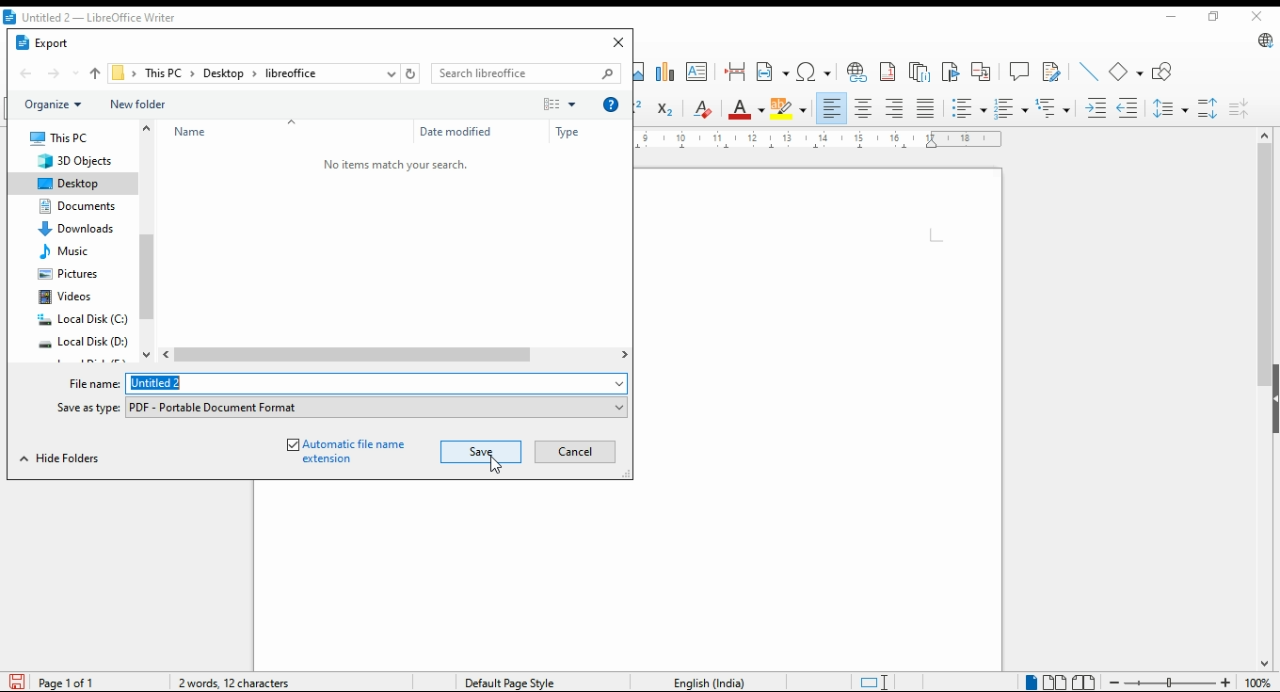 Image resolution: width=1280 pixels, height=692 pixels. Describe the element at coordinates (55, 45) in the screenshot. I see `export window` at that location.